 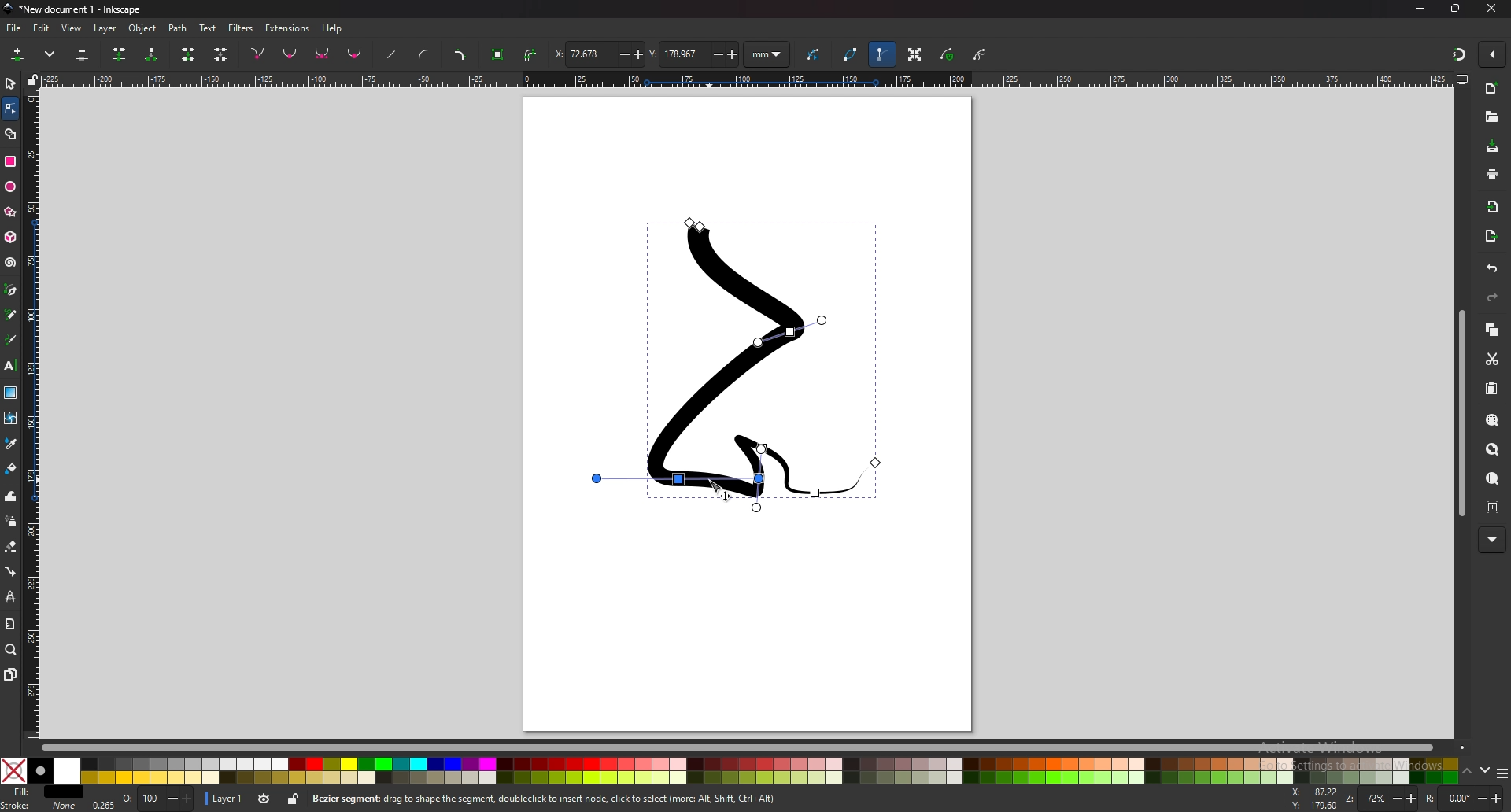 What do you see at coordinates (11, 496) in the screenshot?
I see `tweak` at bounding box center [11, 496].